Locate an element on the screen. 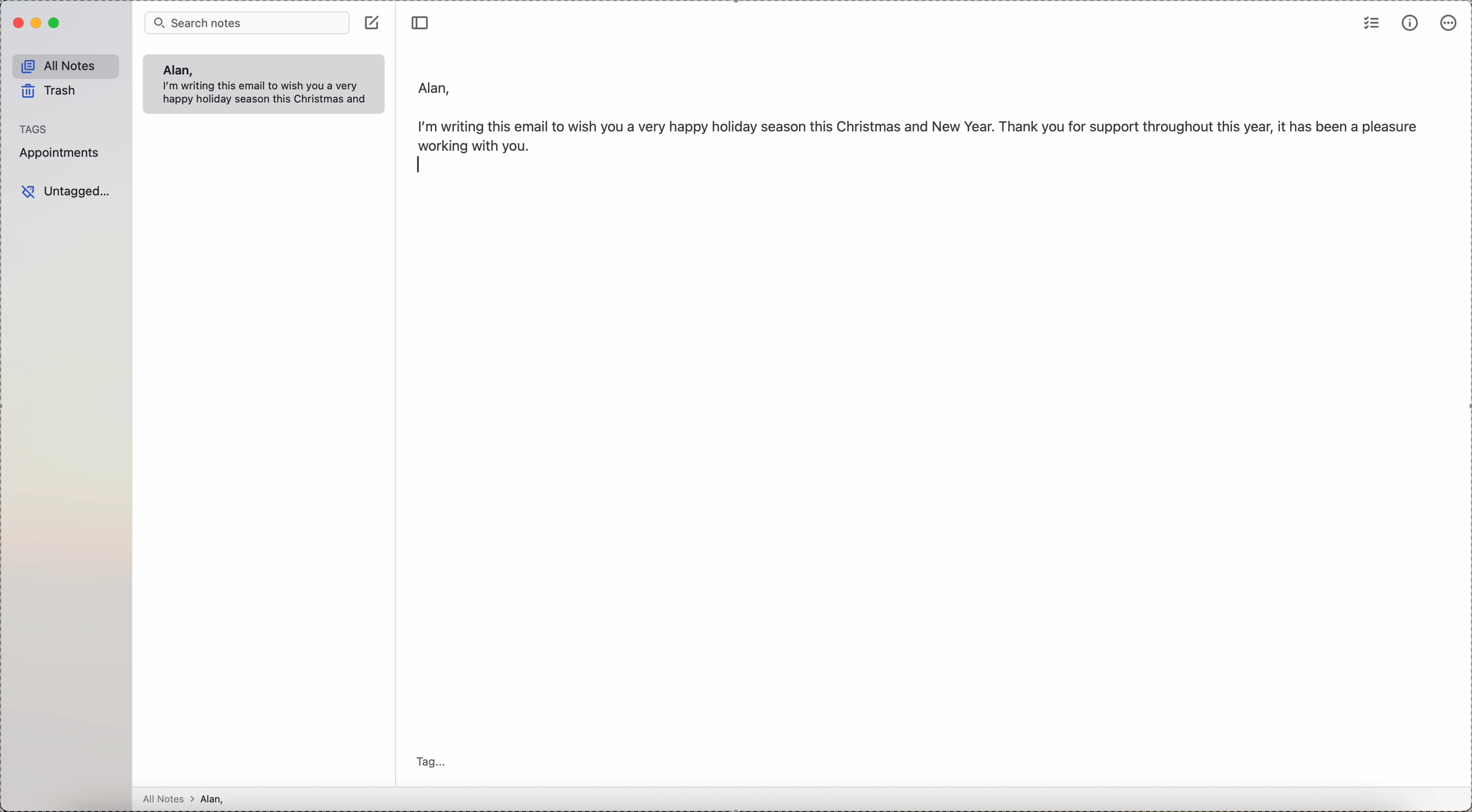  tags is located at coordinates (34, 129).